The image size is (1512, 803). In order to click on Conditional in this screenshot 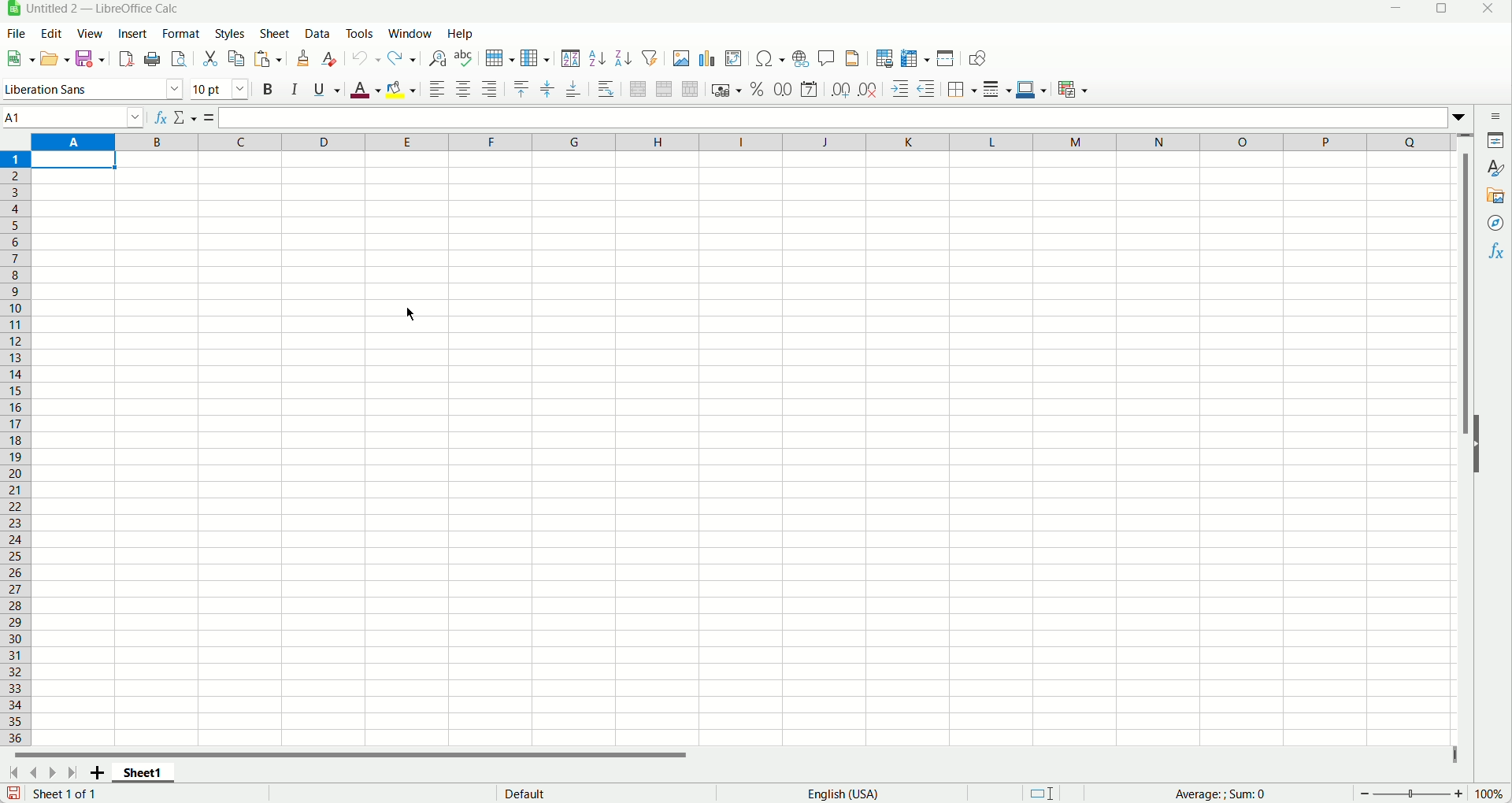, I will do `click(1072, 90)`.